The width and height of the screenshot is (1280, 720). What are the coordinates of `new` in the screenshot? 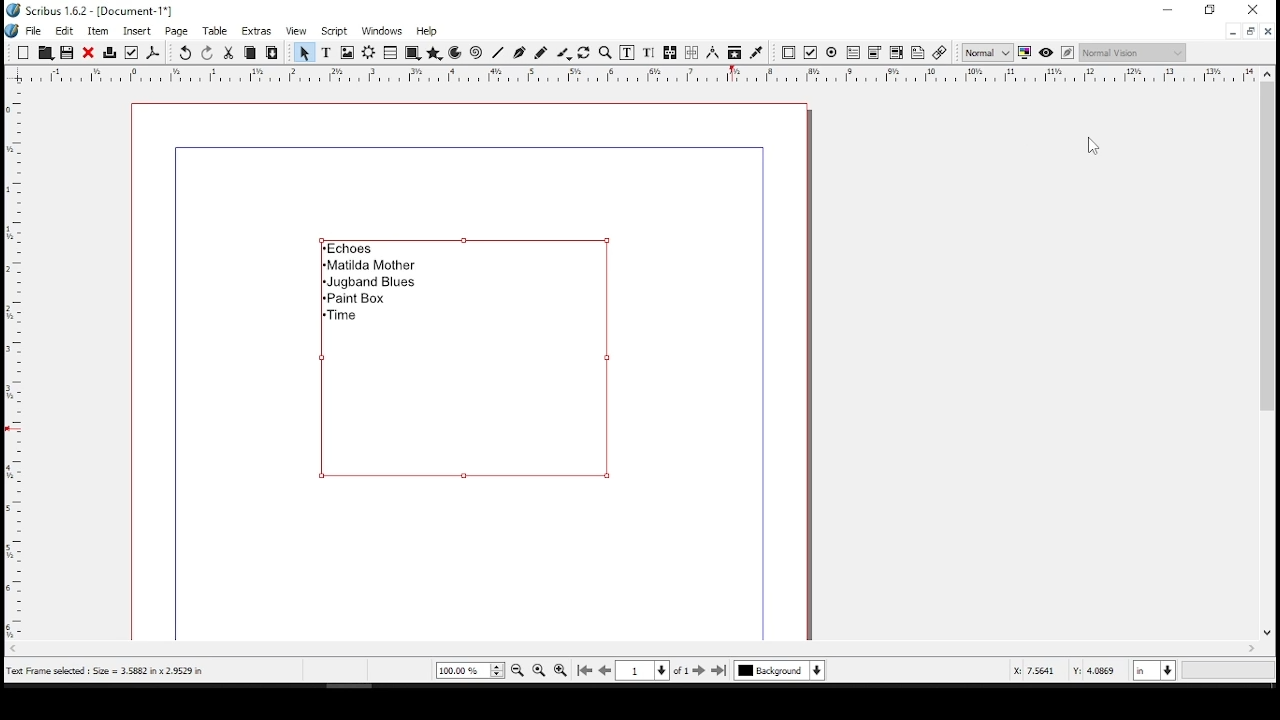 It's located at (23, 52).